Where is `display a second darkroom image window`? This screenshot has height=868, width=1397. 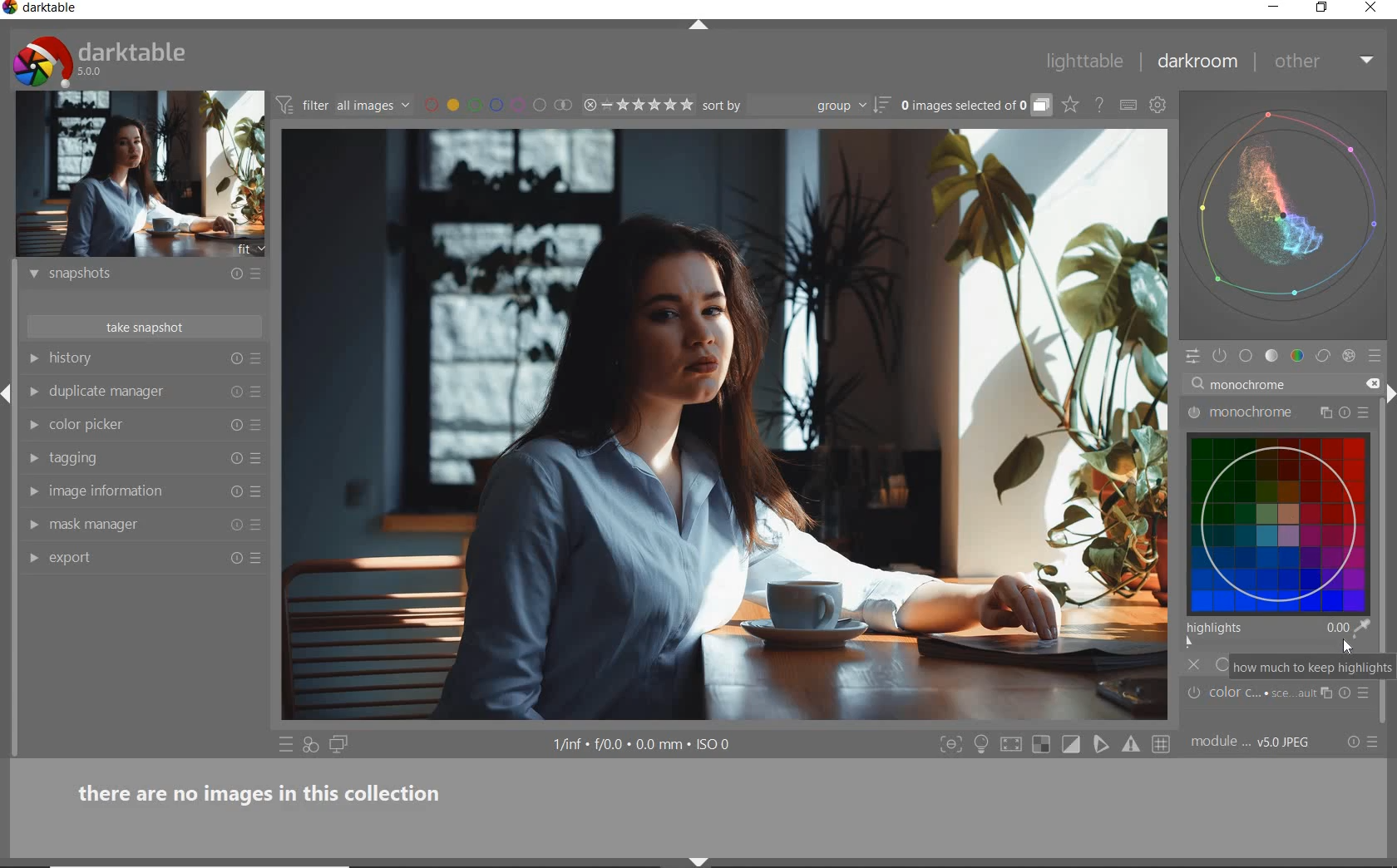
display a second darkroom image window is located at coordinates (339, 745).